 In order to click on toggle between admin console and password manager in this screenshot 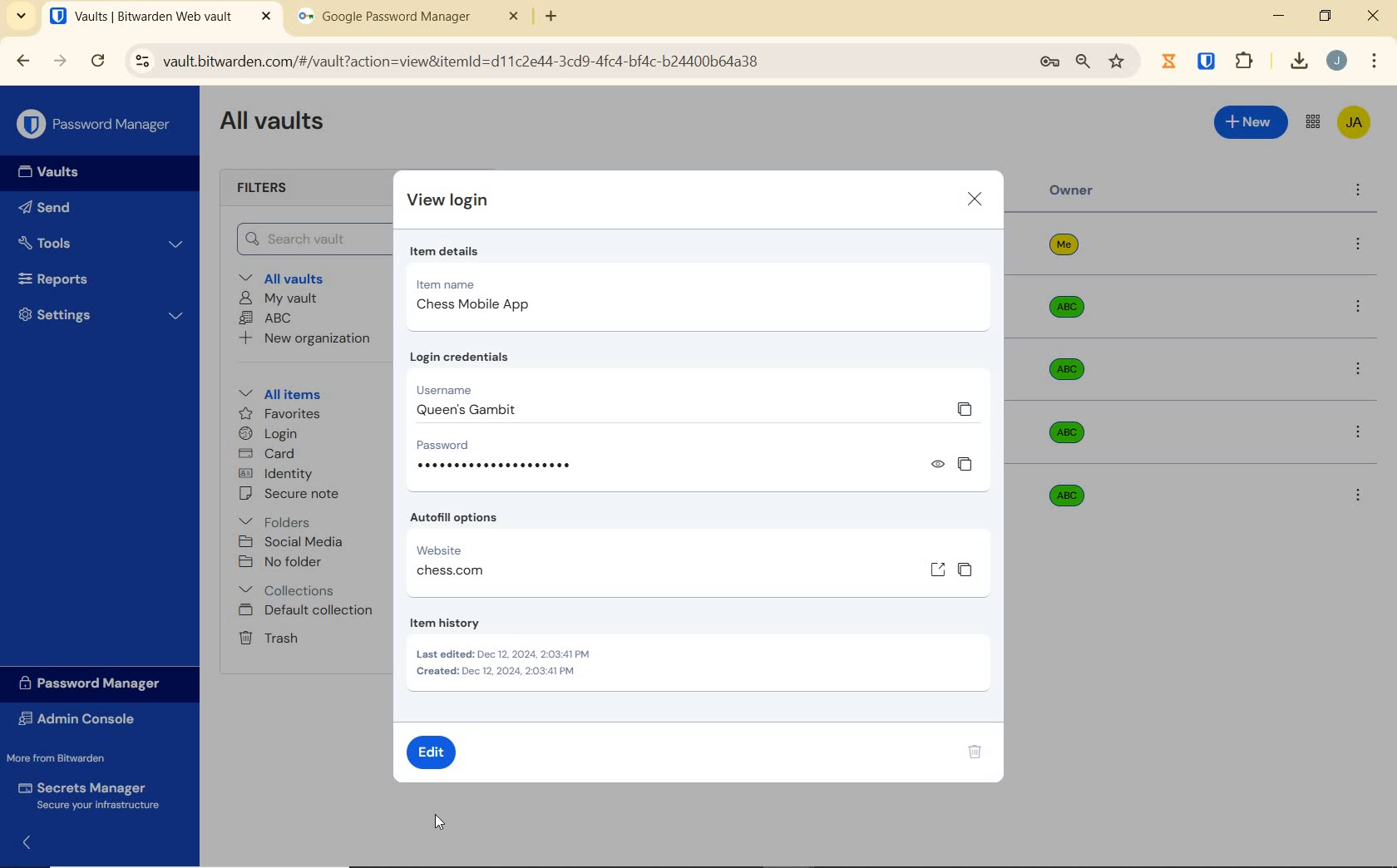, I will do `click(1311, 123)`.